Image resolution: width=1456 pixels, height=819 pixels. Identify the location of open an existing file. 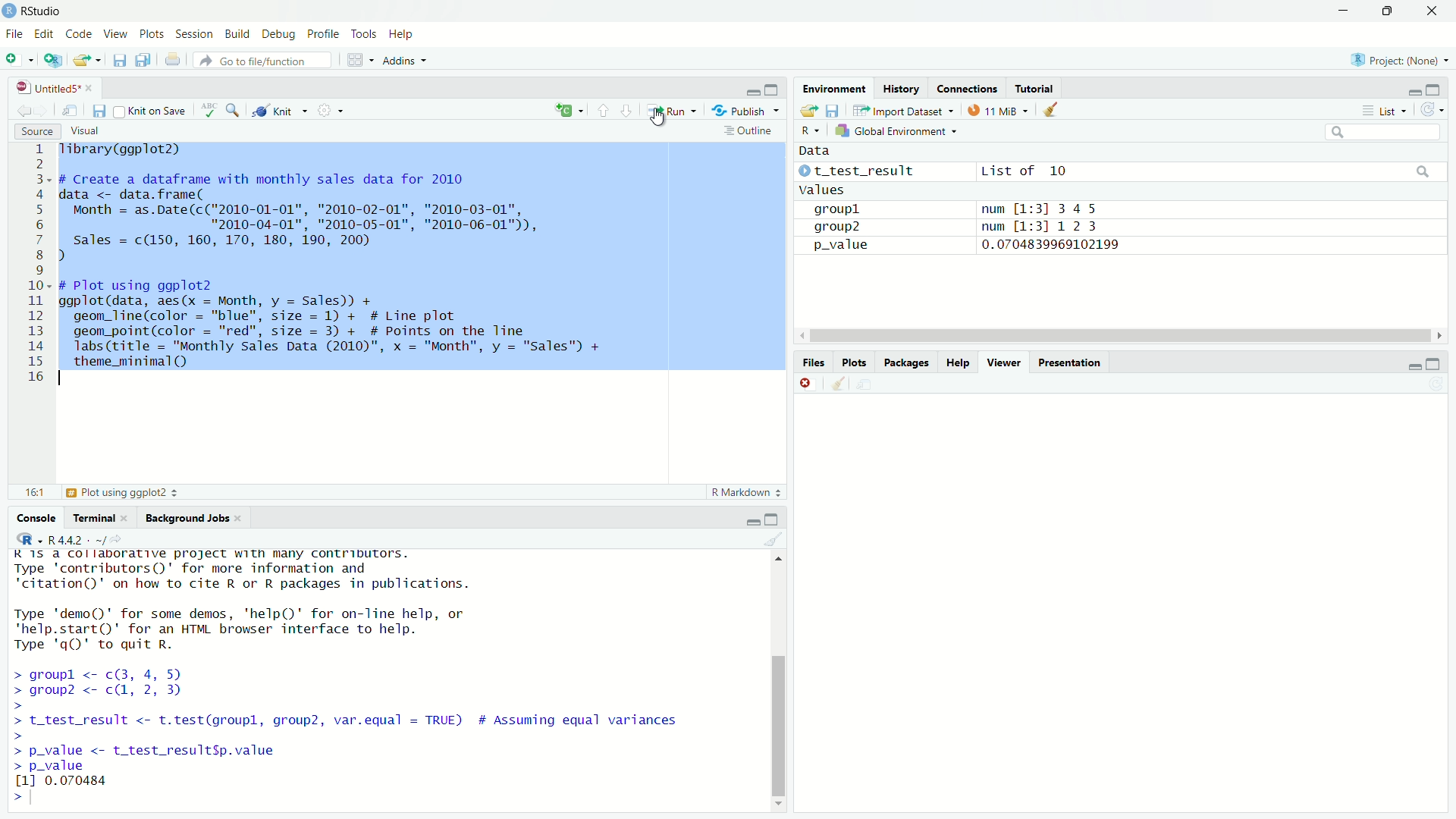
(88, 61).